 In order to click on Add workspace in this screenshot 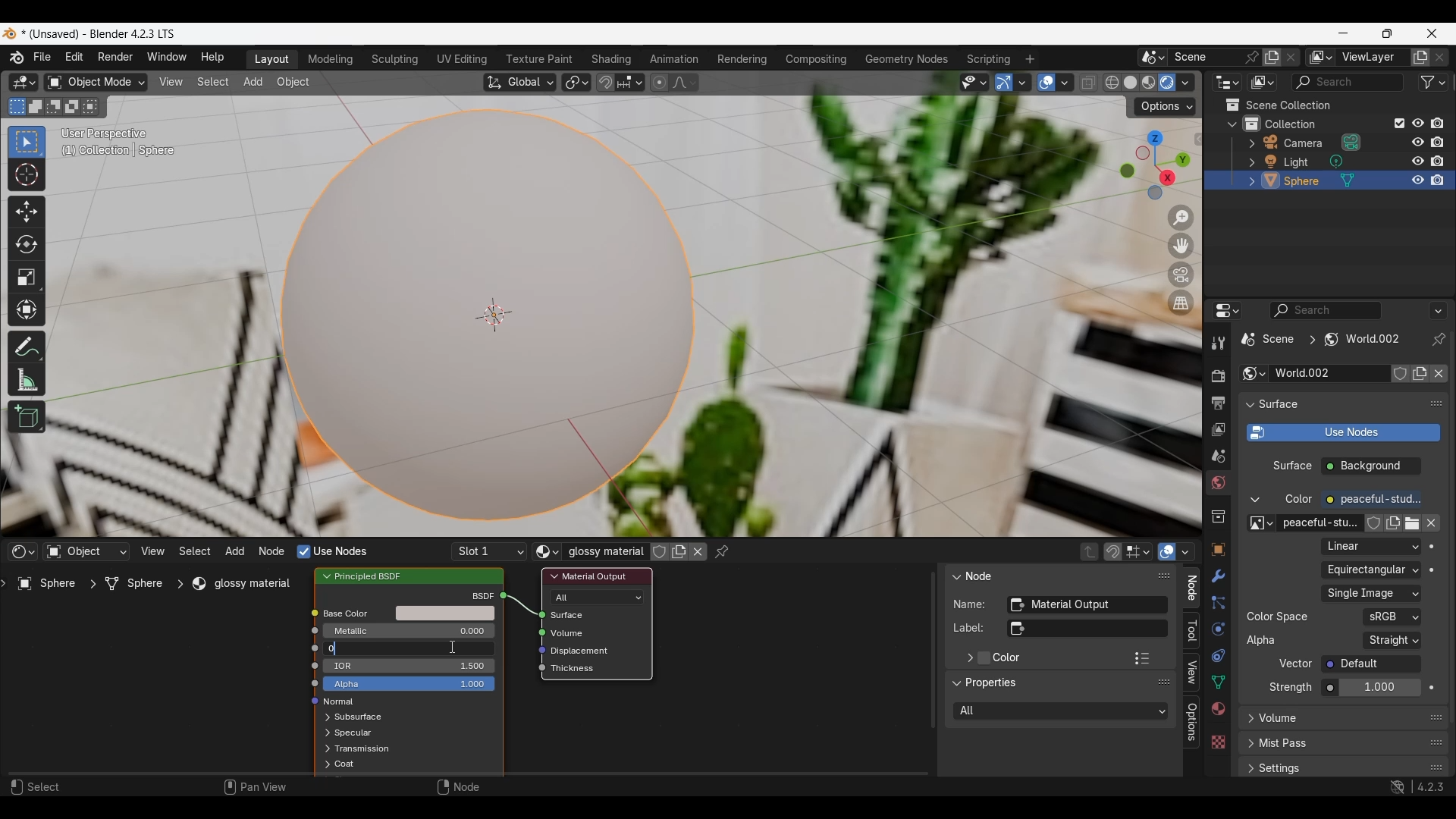, I will do `click(1031, 58)`.